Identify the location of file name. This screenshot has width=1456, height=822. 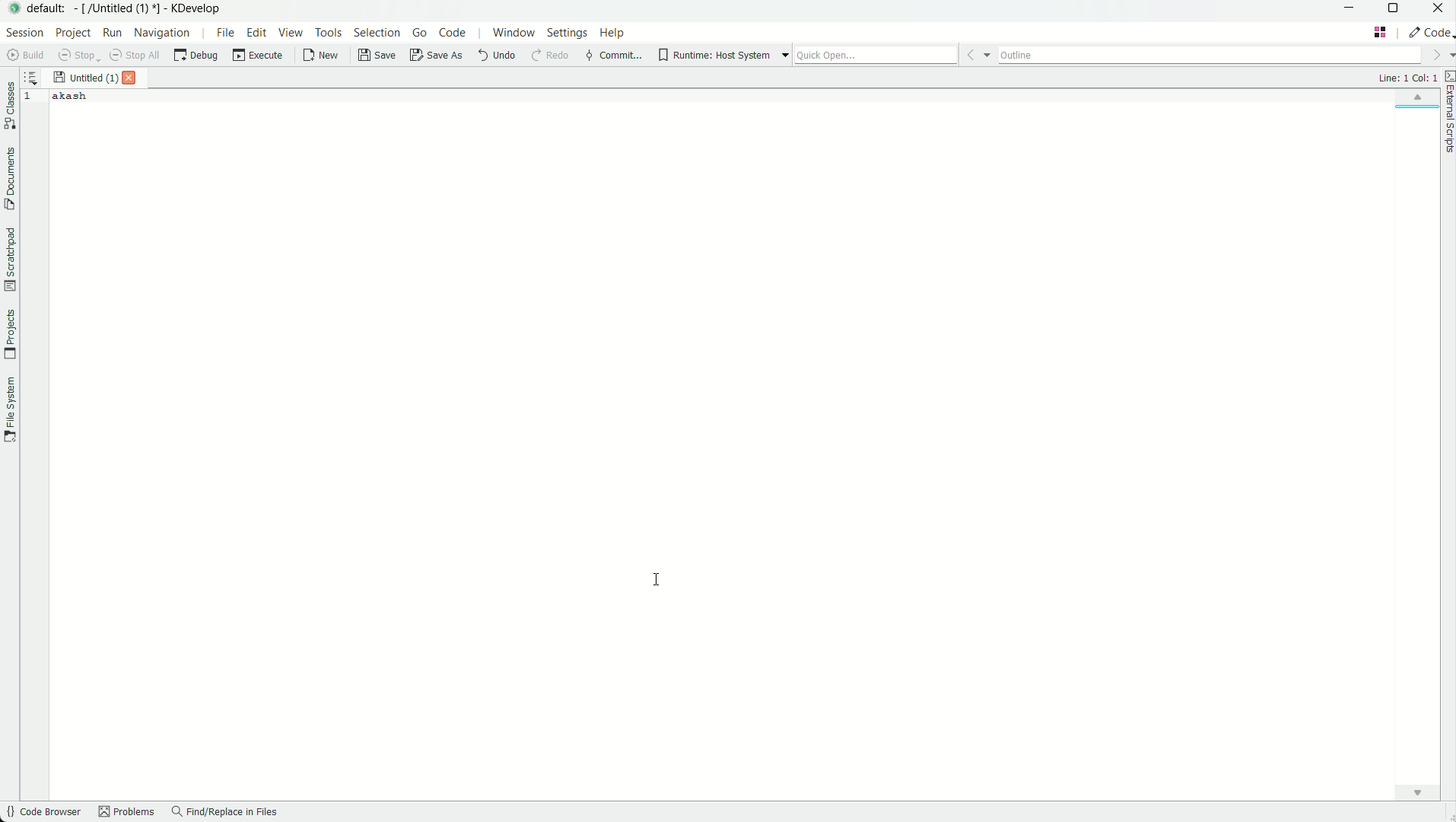
(119, 8).